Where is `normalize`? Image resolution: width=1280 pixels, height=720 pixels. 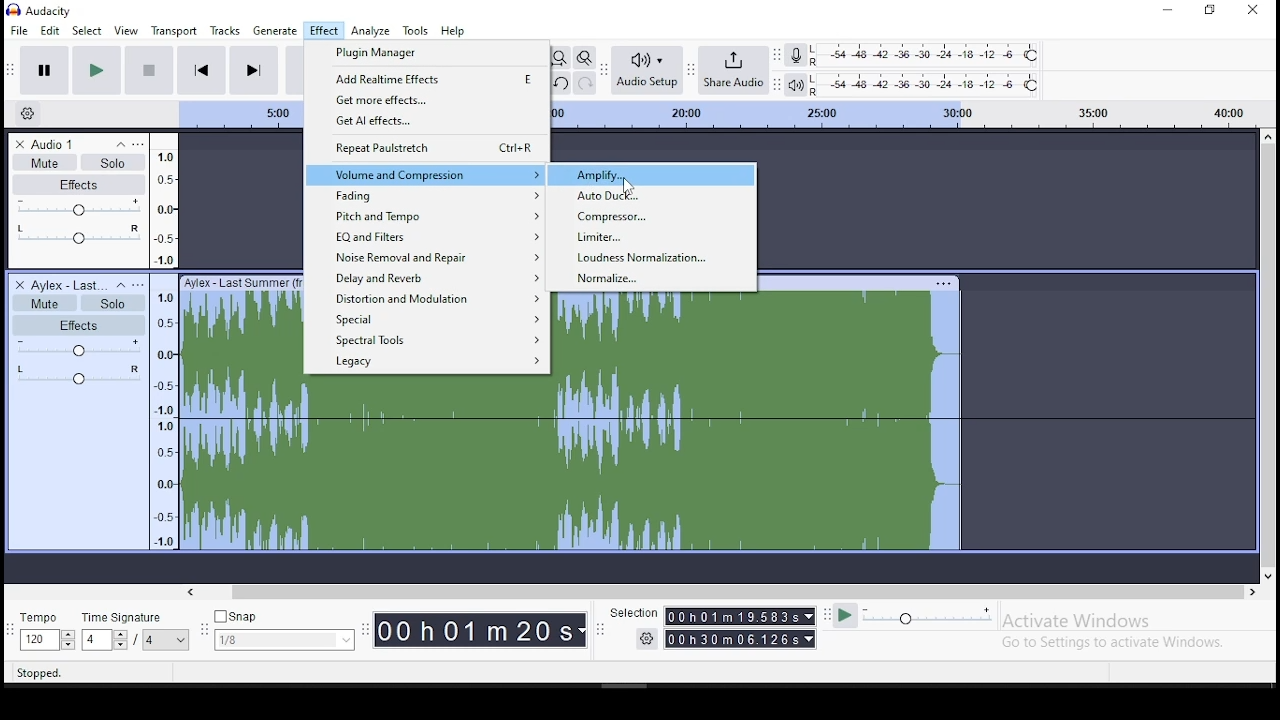 normalize is located at coordinates (653, 277).